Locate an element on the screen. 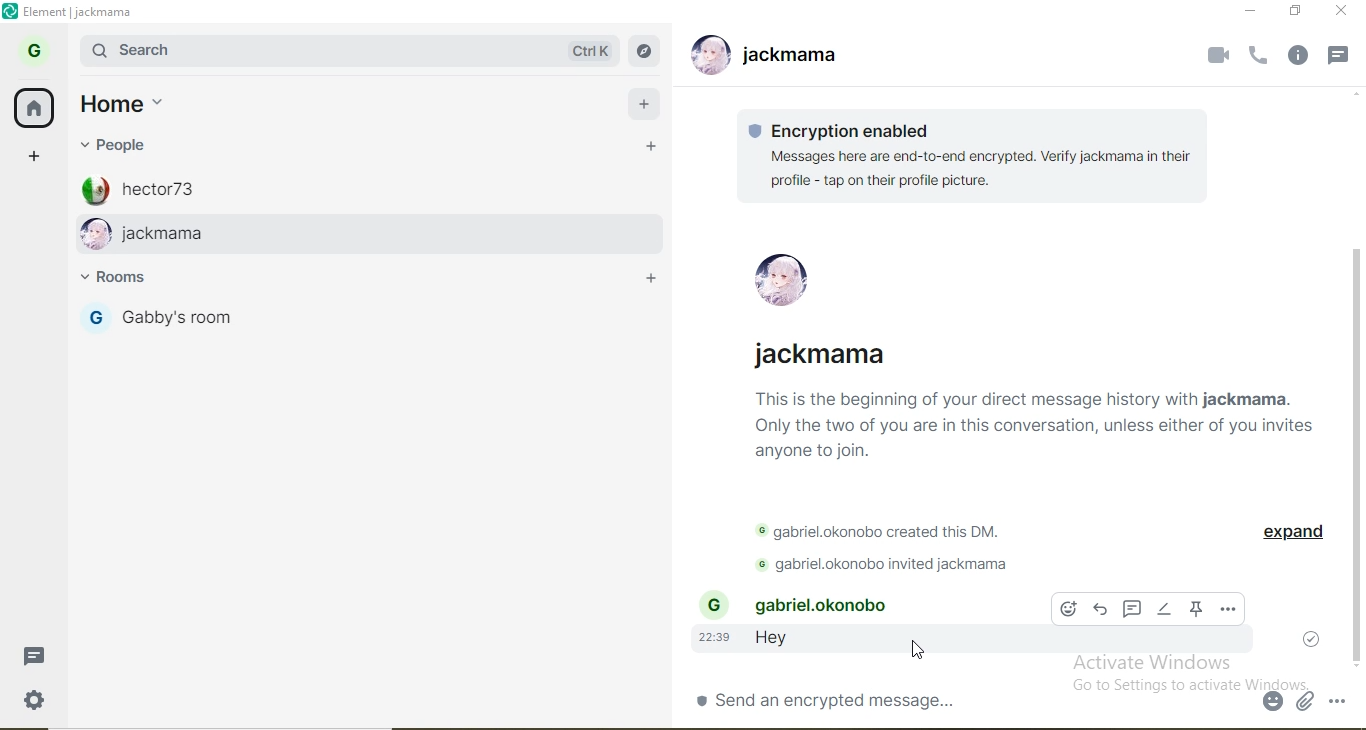  text 1 is located at coordinates (978, 154).